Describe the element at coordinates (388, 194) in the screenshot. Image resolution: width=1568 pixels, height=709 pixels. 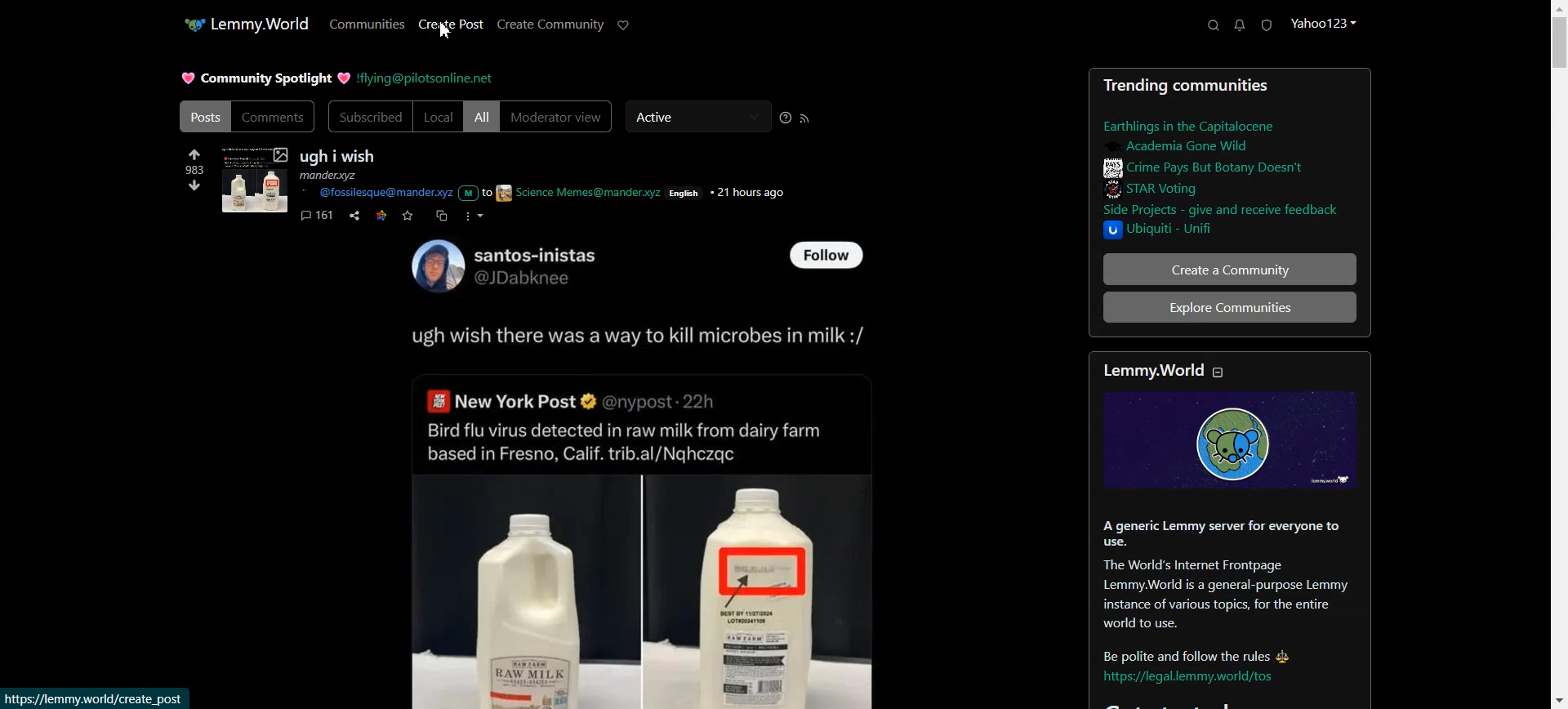
I see `Hyperlink` at that location.